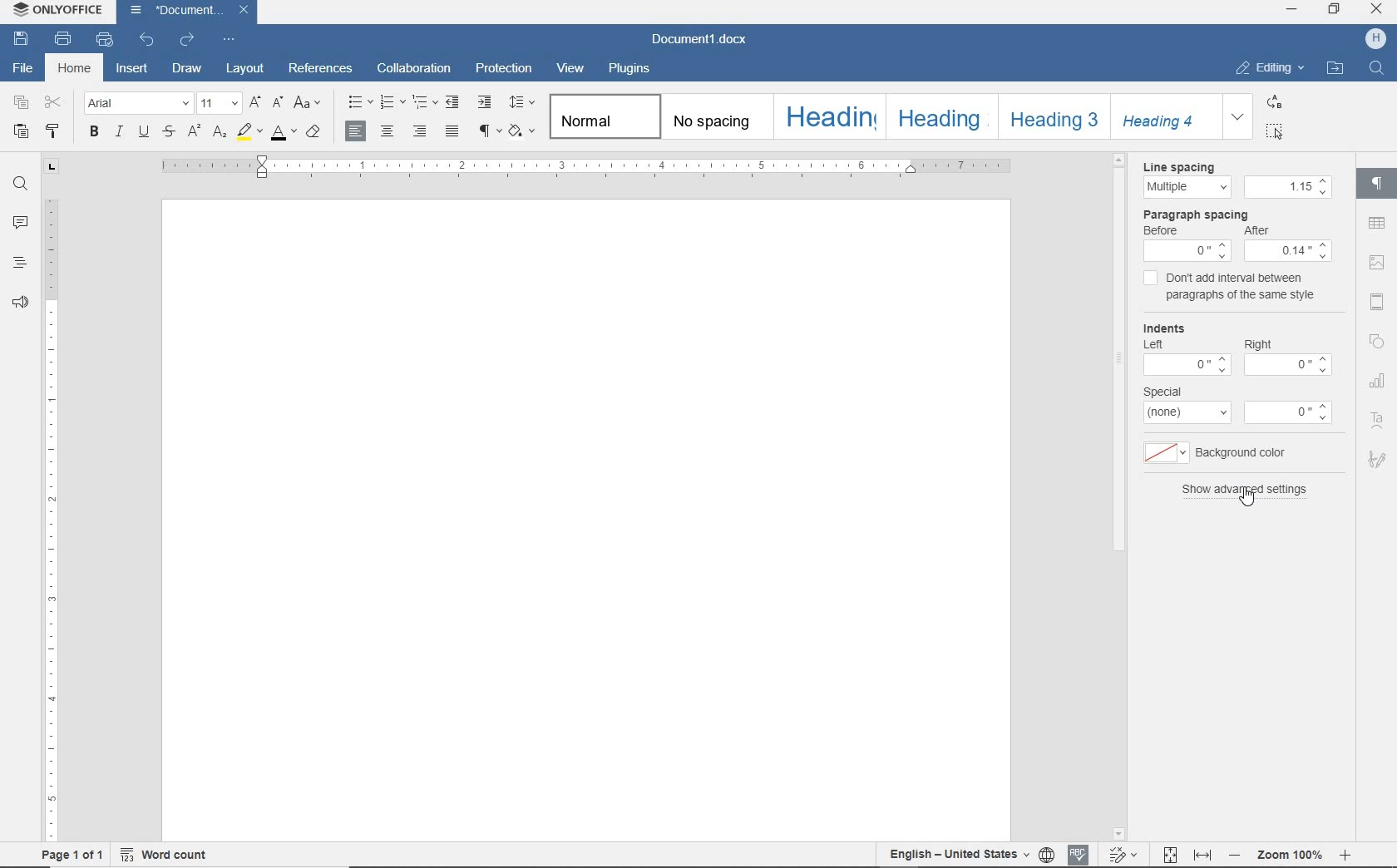 Image resolution: width=1397 pixels, height=868 pixels. What do you see at coordinates (22, 70) in the screenshot?
I see `file` at bounding box center [22, 70].